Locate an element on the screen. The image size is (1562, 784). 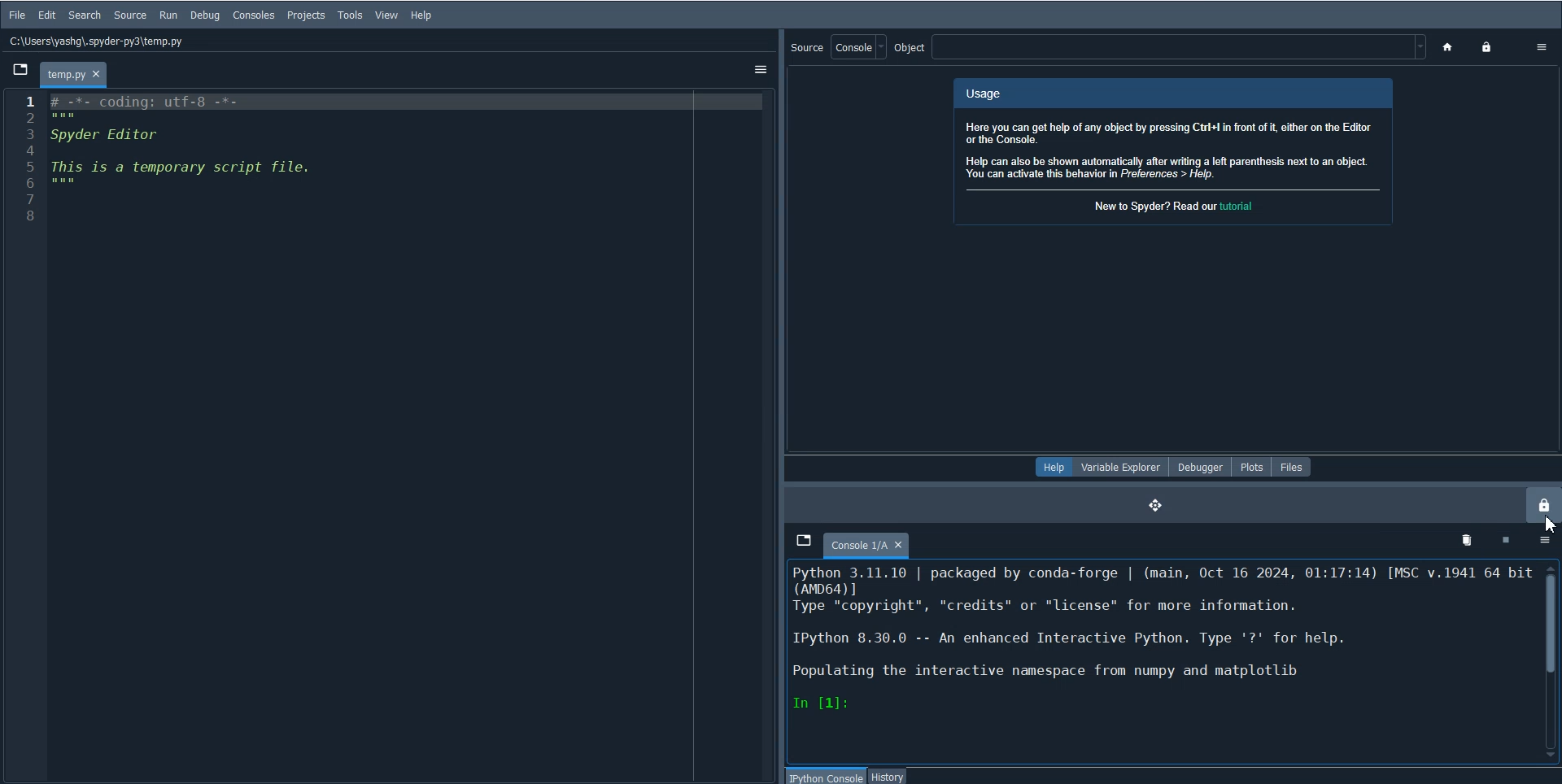
Option is located at coordinates (758, 70).